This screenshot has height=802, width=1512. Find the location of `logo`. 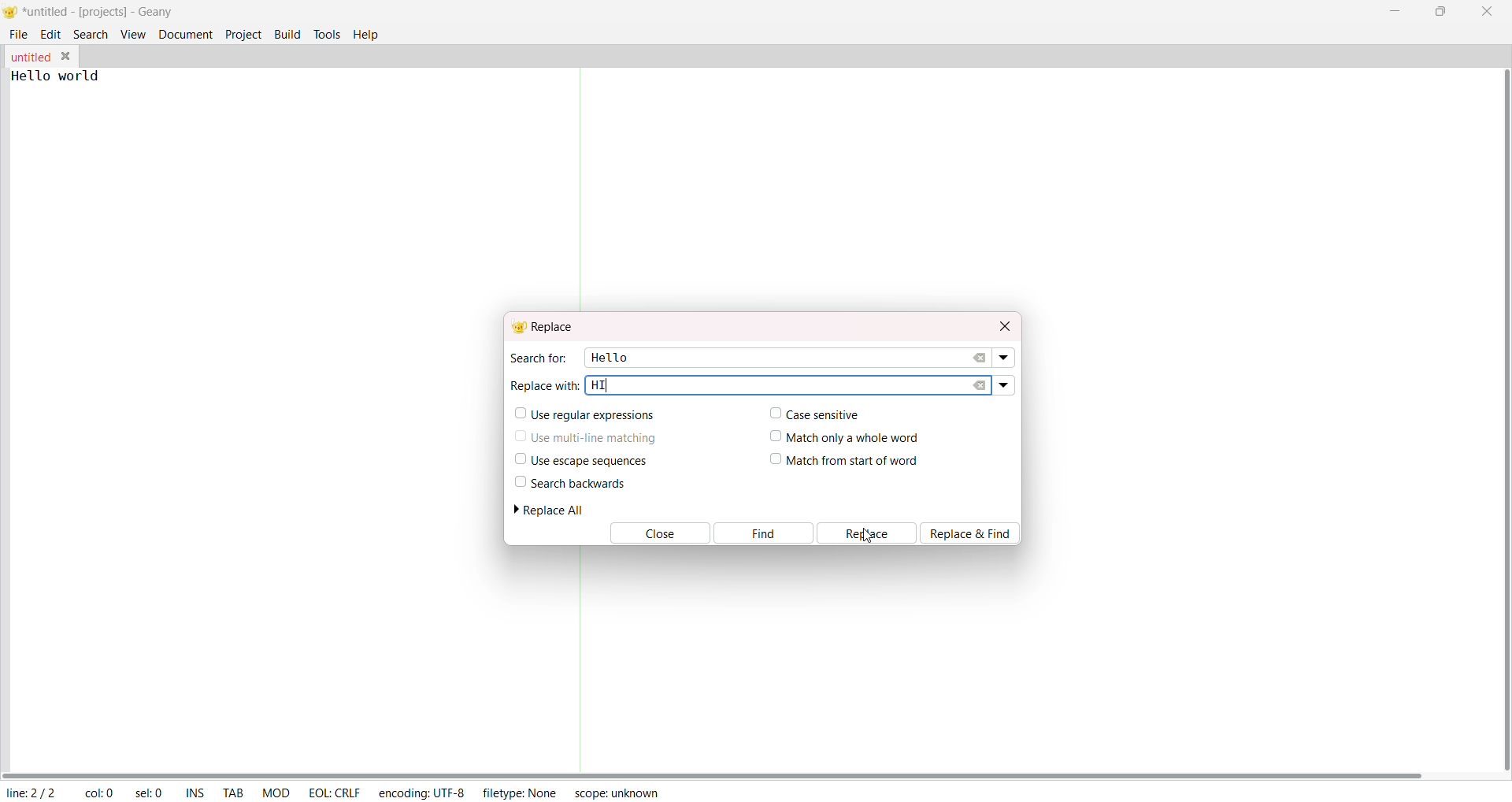

logo is located at coordinates (10, 13).